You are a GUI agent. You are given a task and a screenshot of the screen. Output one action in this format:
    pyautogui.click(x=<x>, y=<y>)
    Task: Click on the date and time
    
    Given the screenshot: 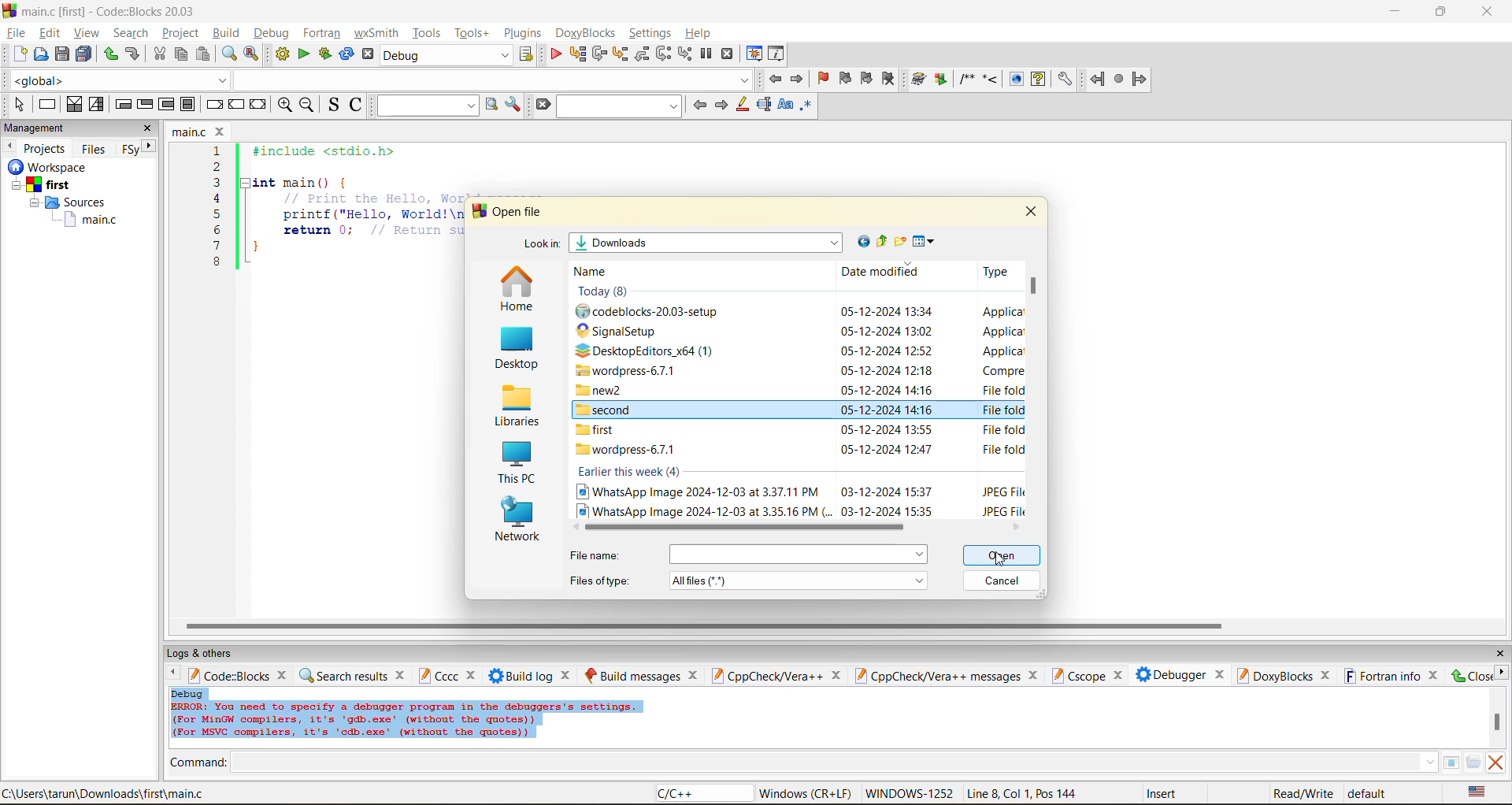 What is the action you would take?
    pyautogui.click(x=888, y=370)
    